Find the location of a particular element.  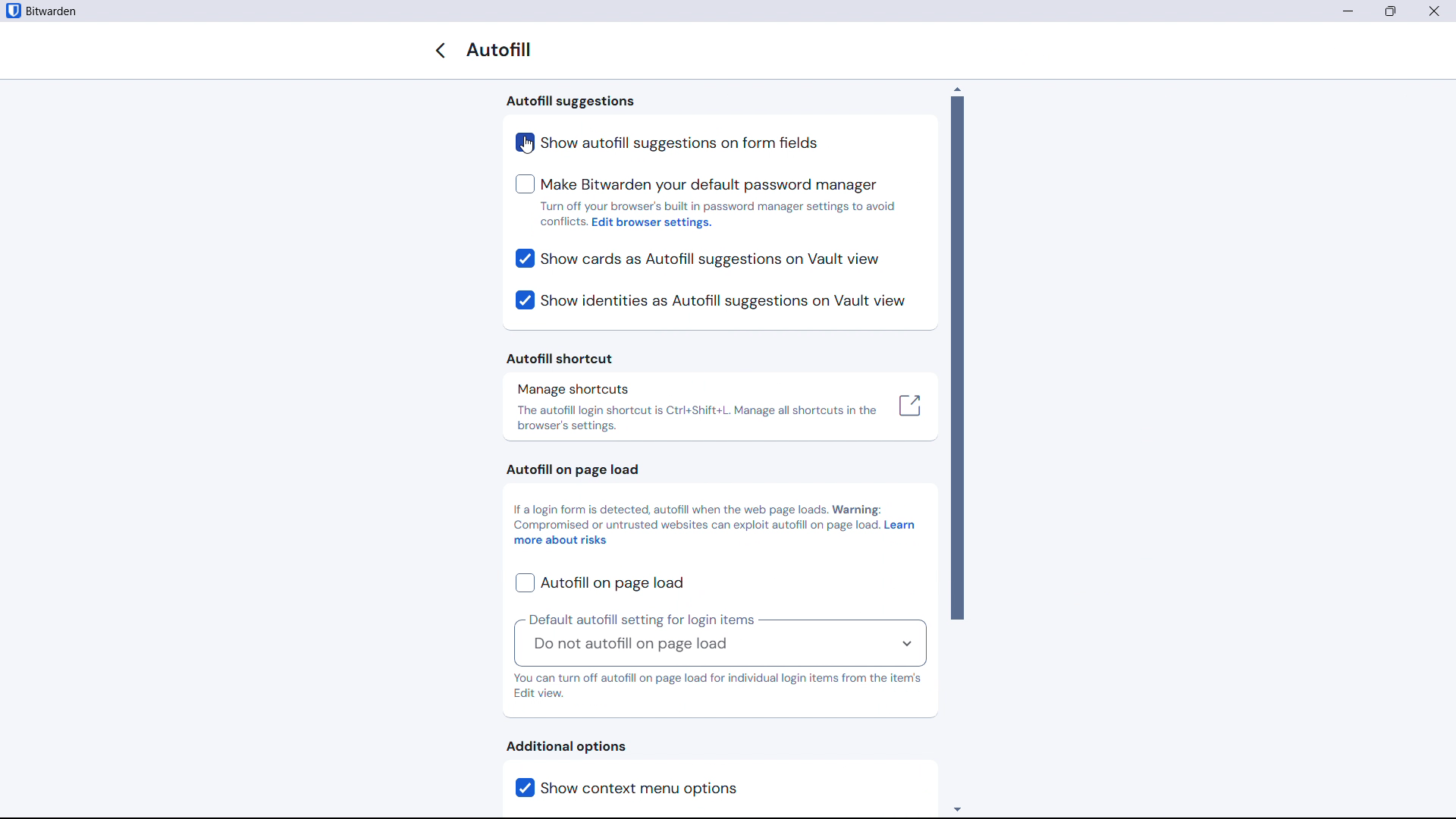

Turn off your browser's built in password manager settings to avoid is located at coordinates (720, 206).